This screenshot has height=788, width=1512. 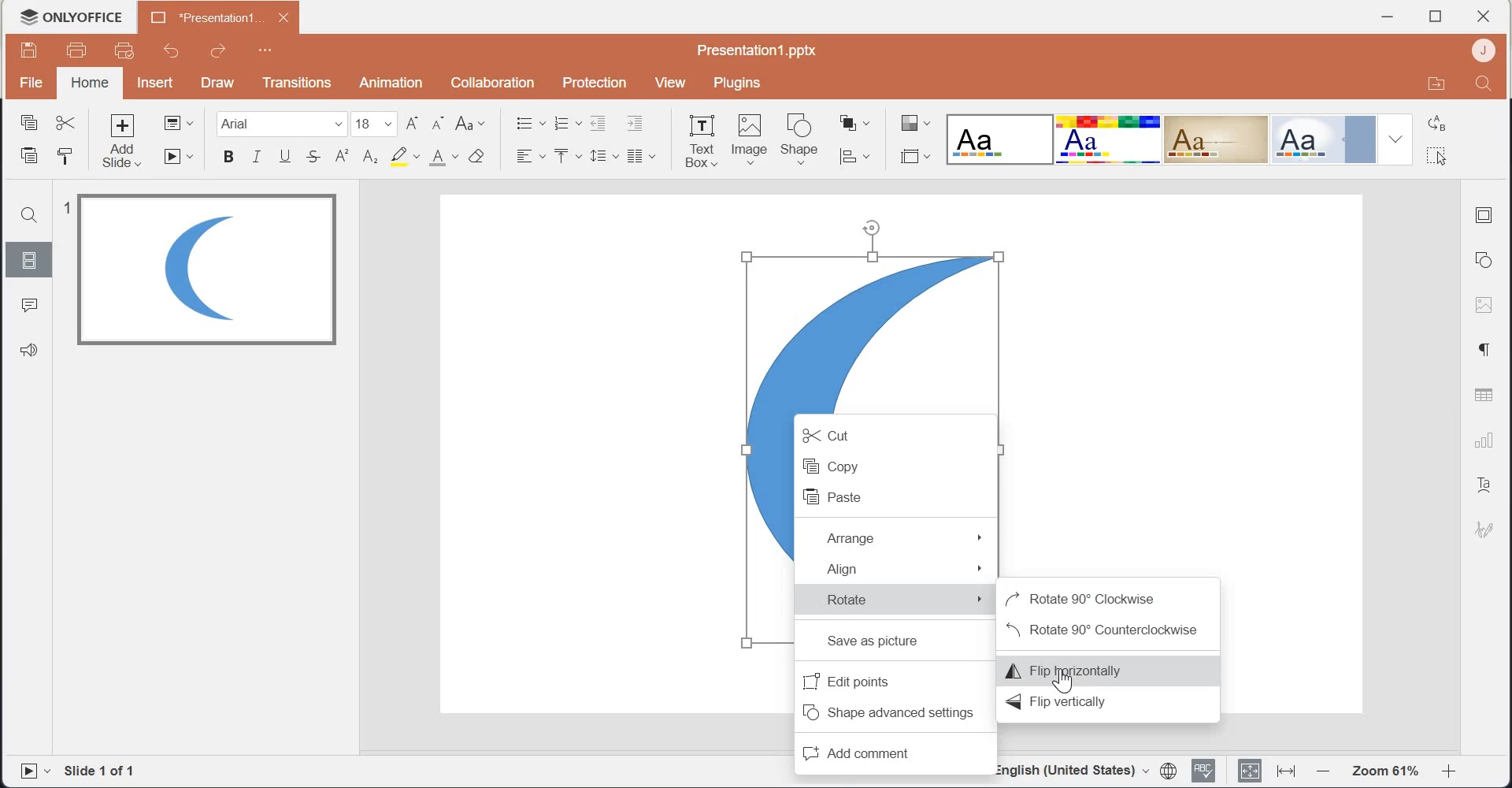 I want to click on Official, so click(x=1323, y=139).